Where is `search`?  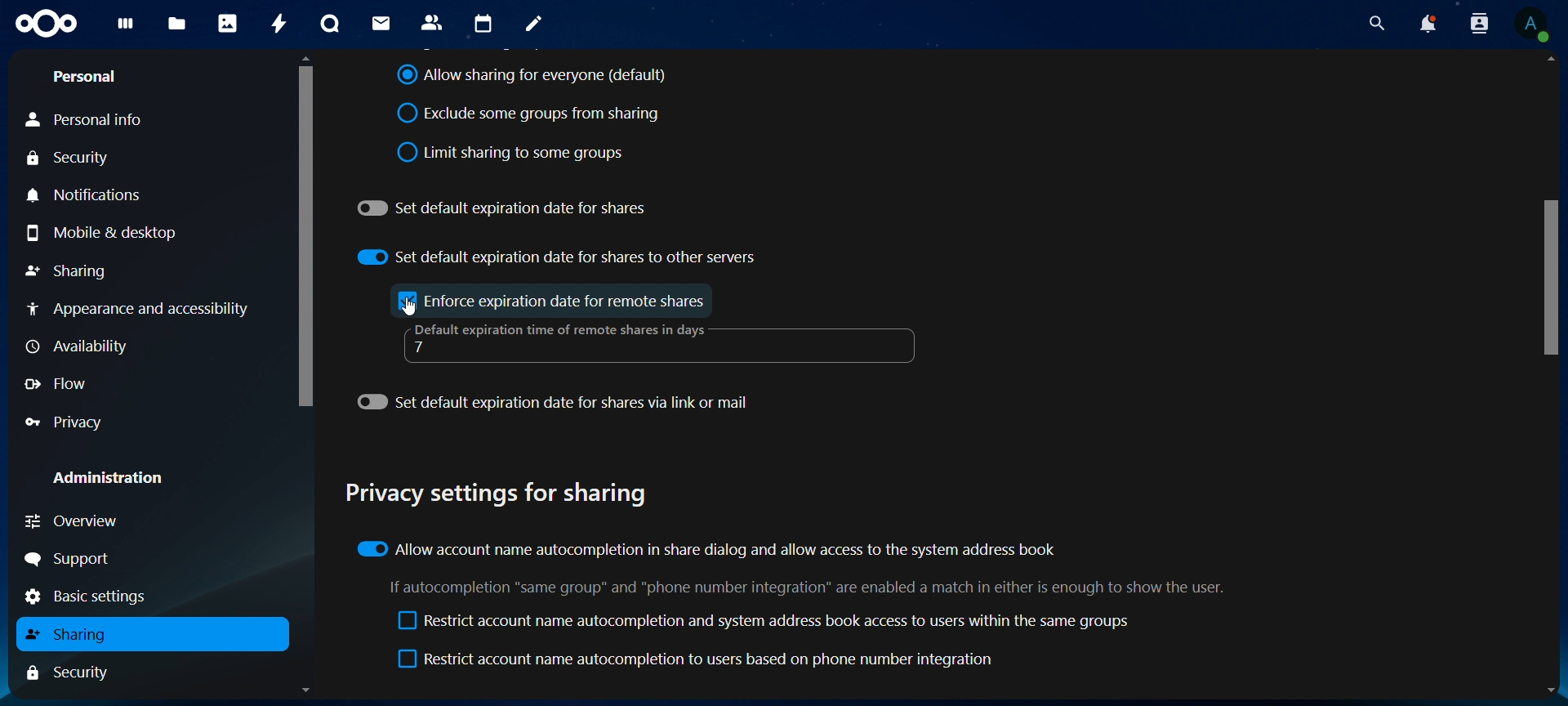
search is located at coordinates (1373, 24).